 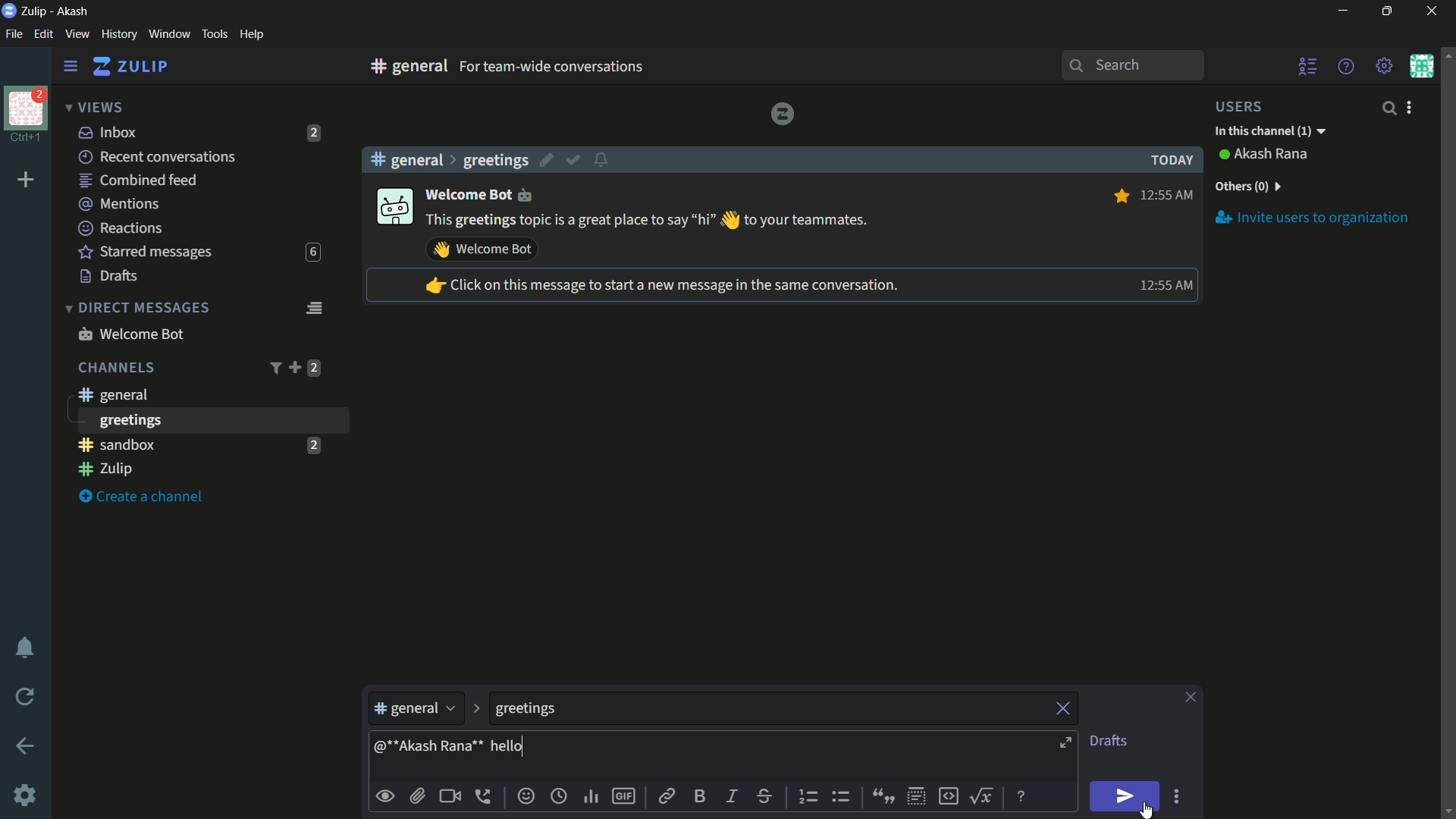 I want to click on drafts, so click(x=1108, y=741).